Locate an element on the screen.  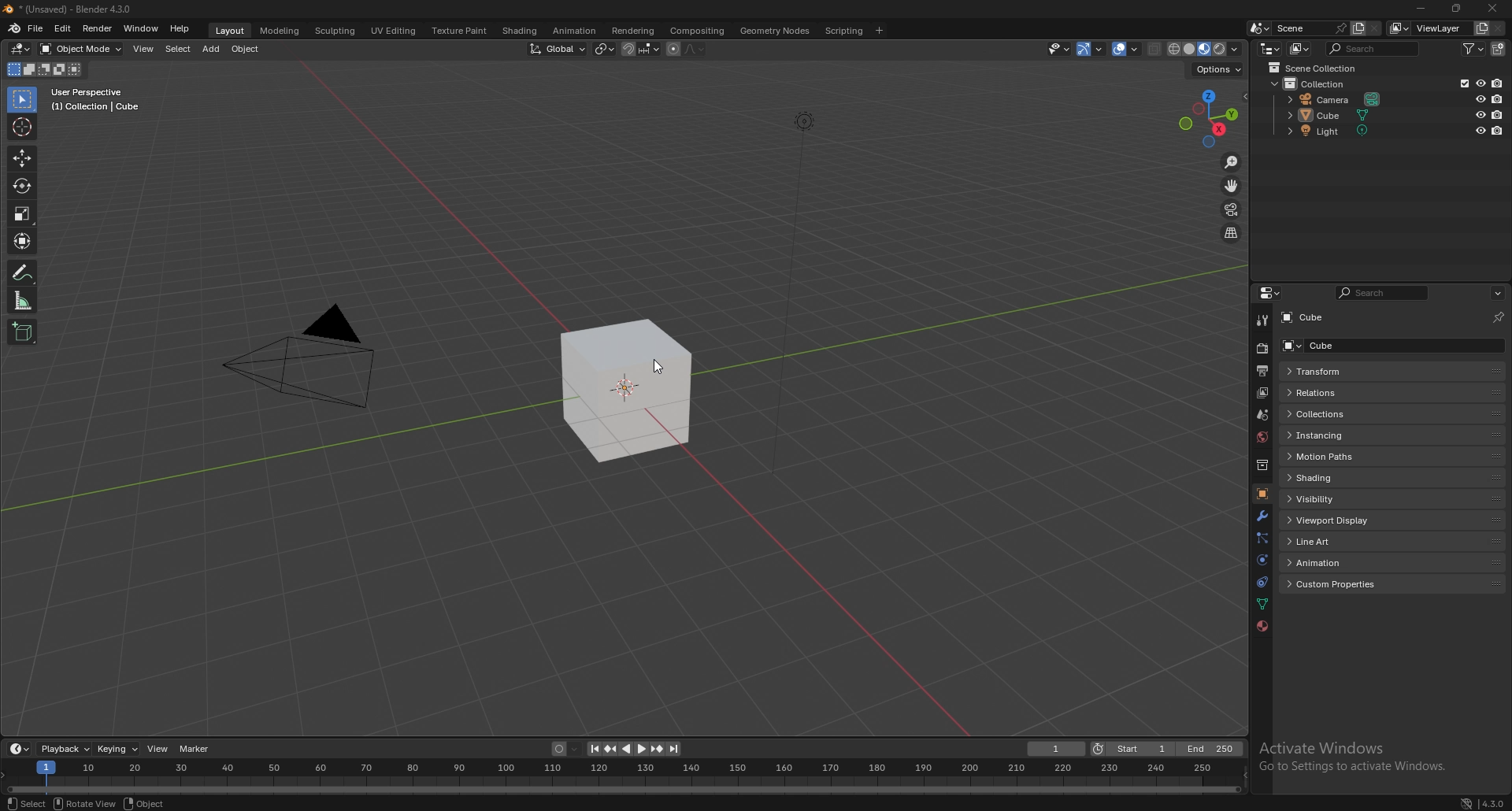
sculpting is located at coordinates (335, 30).